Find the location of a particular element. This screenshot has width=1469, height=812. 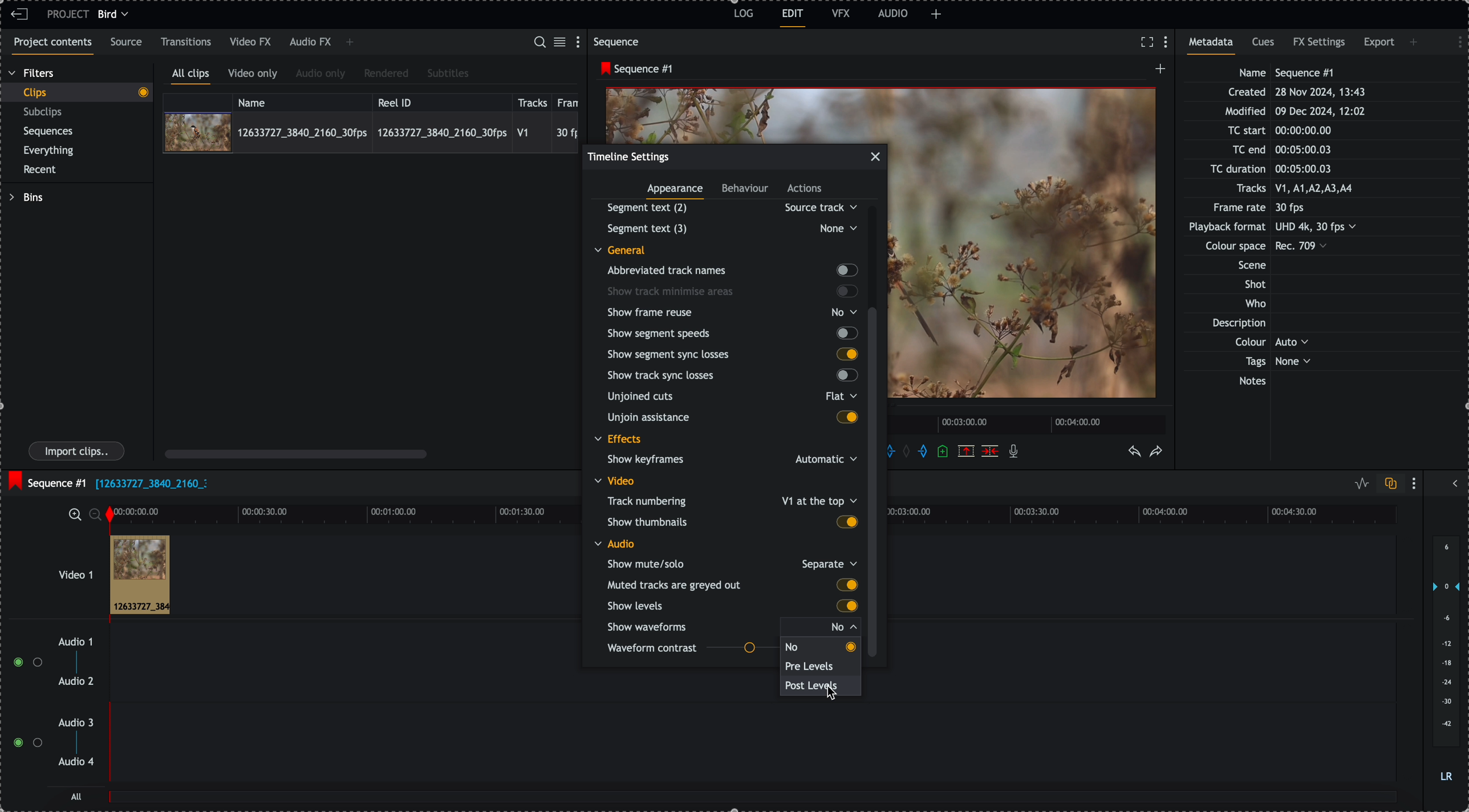

segment text (2) is located at coordinates (728, 208).